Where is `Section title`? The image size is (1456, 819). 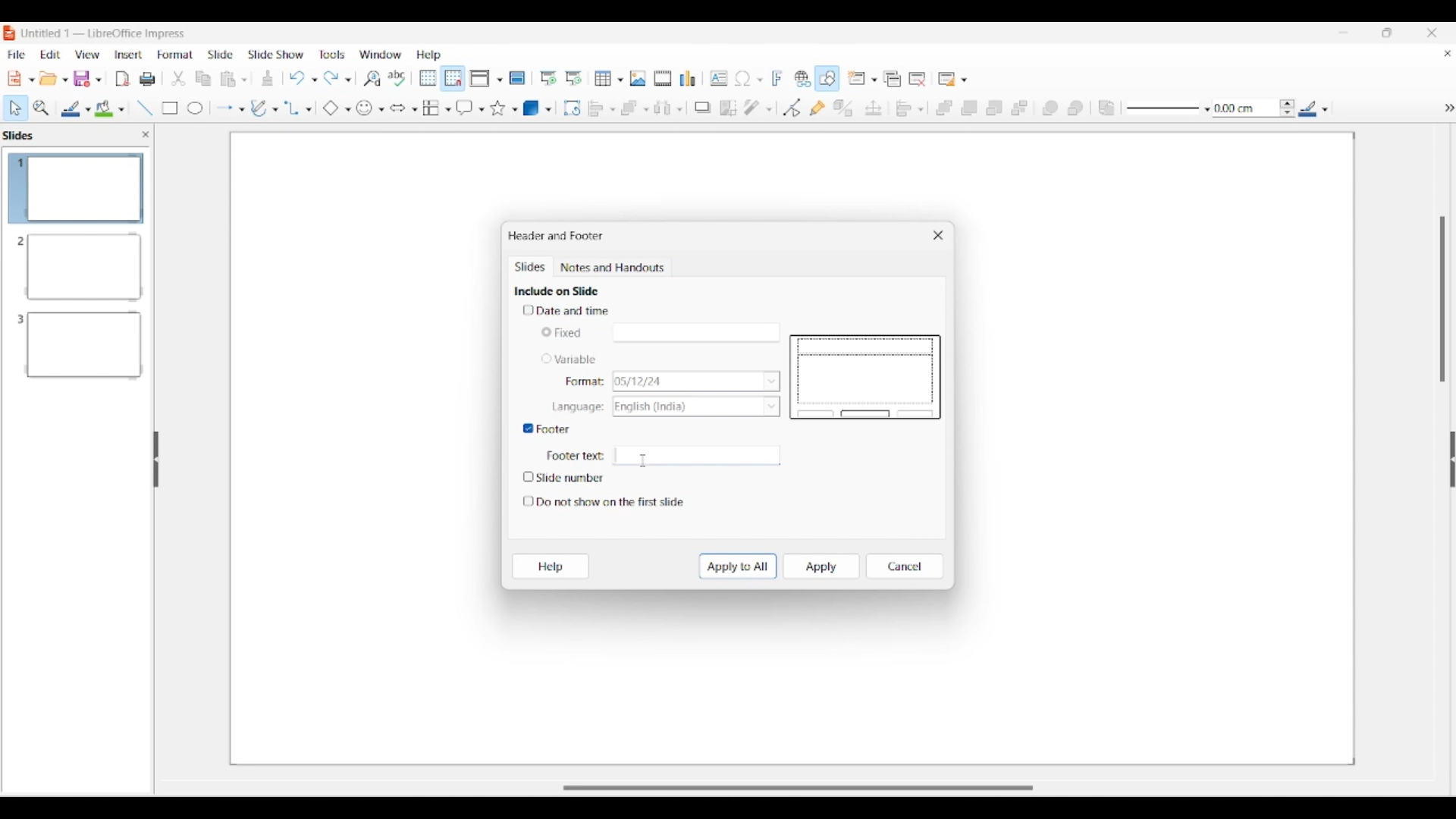
Section title is located at coordinates (556, 290).